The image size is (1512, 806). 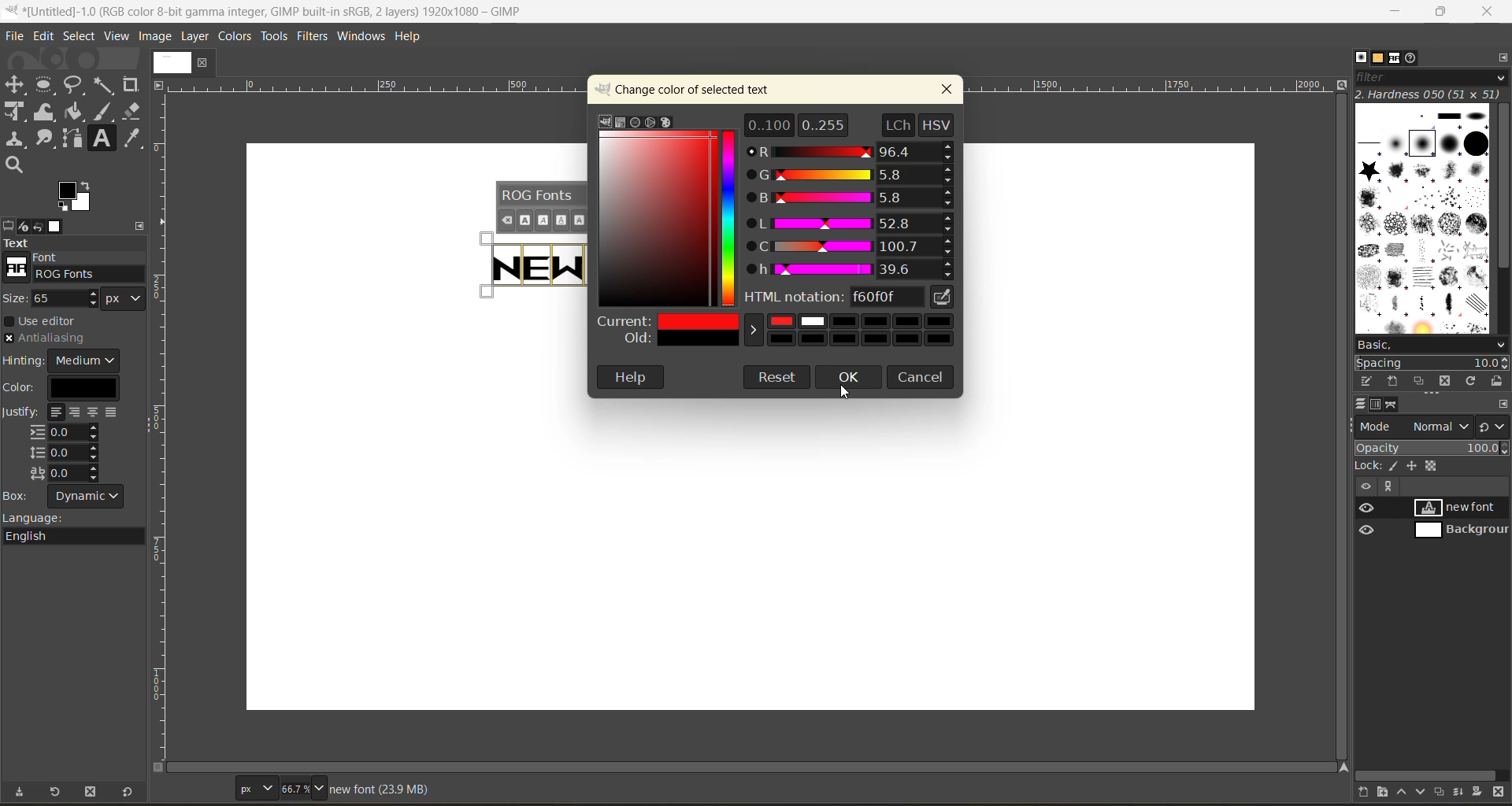 What do you see at coordinates (1362, 401) in the screenshot?
I see `layers` at bounding box center [1362, 401].